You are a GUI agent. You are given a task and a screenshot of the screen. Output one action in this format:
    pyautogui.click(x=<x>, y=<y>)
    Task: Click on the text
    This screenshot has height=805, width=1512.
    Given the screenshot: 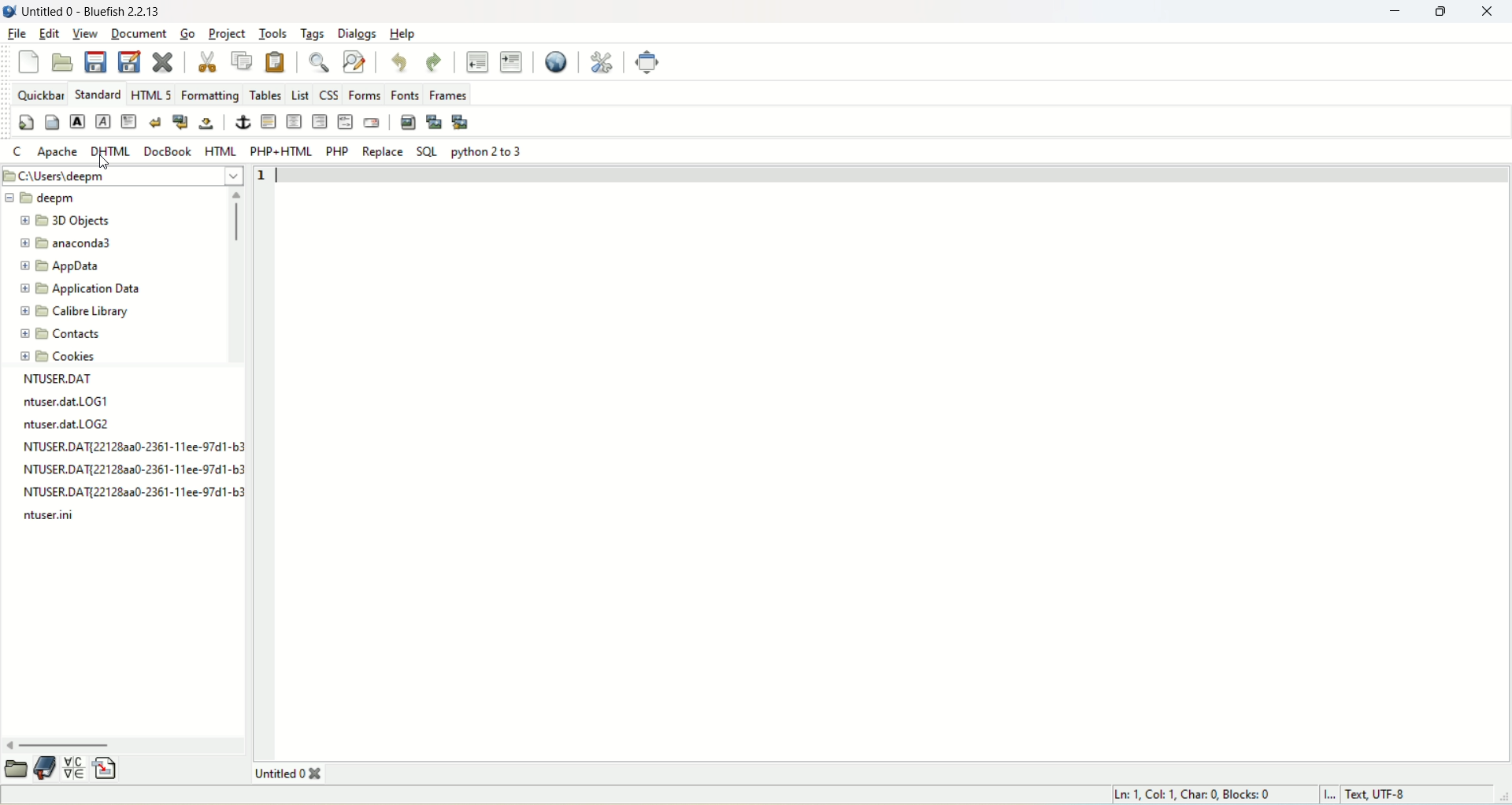 What is the action you would take?
    pyautogui.click(x=126, y=451)
    